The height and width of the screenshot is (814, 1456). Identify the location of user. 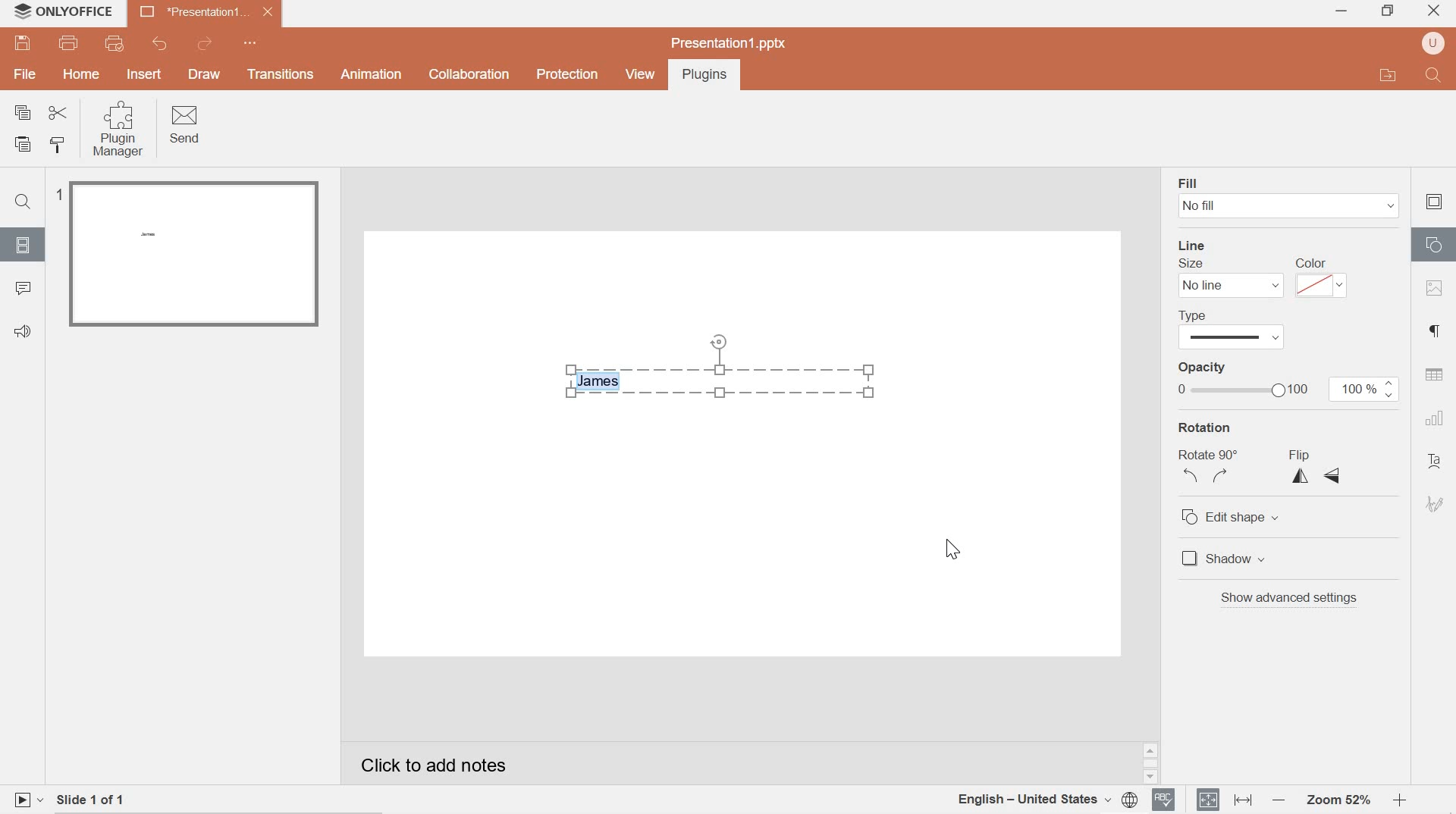
(1433, 44).